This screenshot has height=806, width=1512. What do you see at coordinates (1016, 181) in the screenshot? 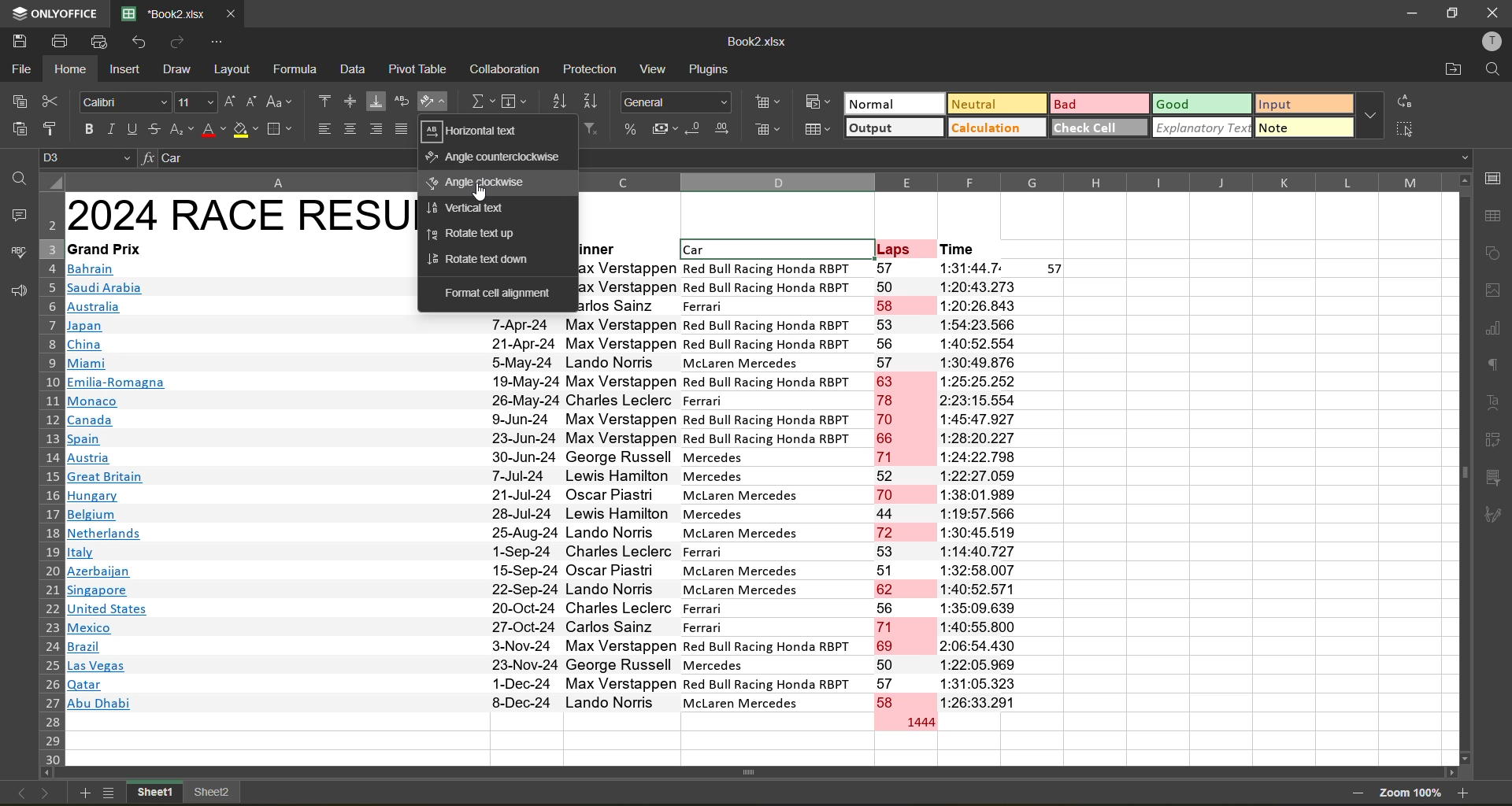
I see `column names` at bounding box center [1016, 181].